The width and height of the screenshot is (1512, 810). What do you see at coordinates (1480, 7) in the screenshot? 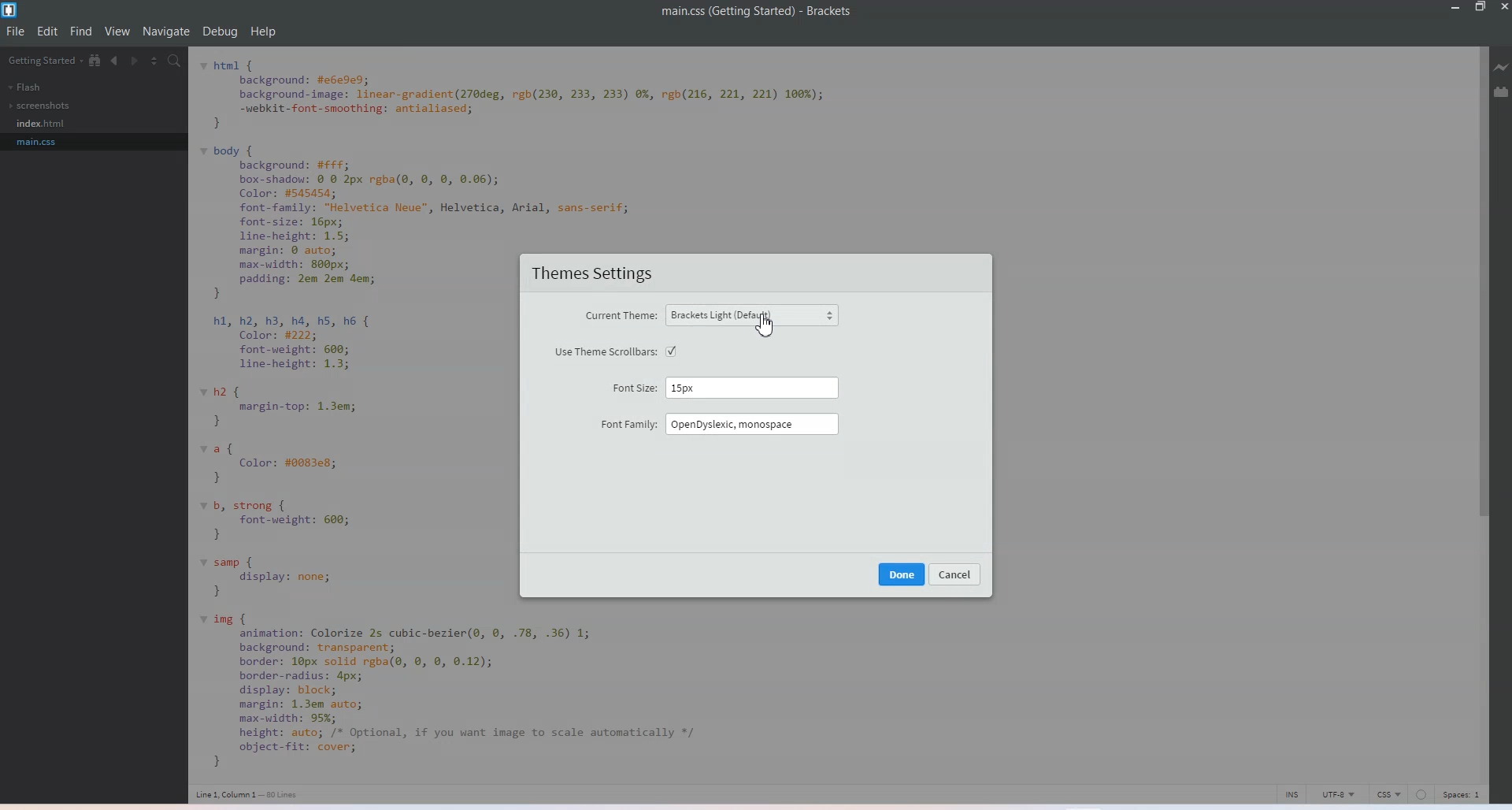
I see `Maximize` at bounding box center [1480, 7].